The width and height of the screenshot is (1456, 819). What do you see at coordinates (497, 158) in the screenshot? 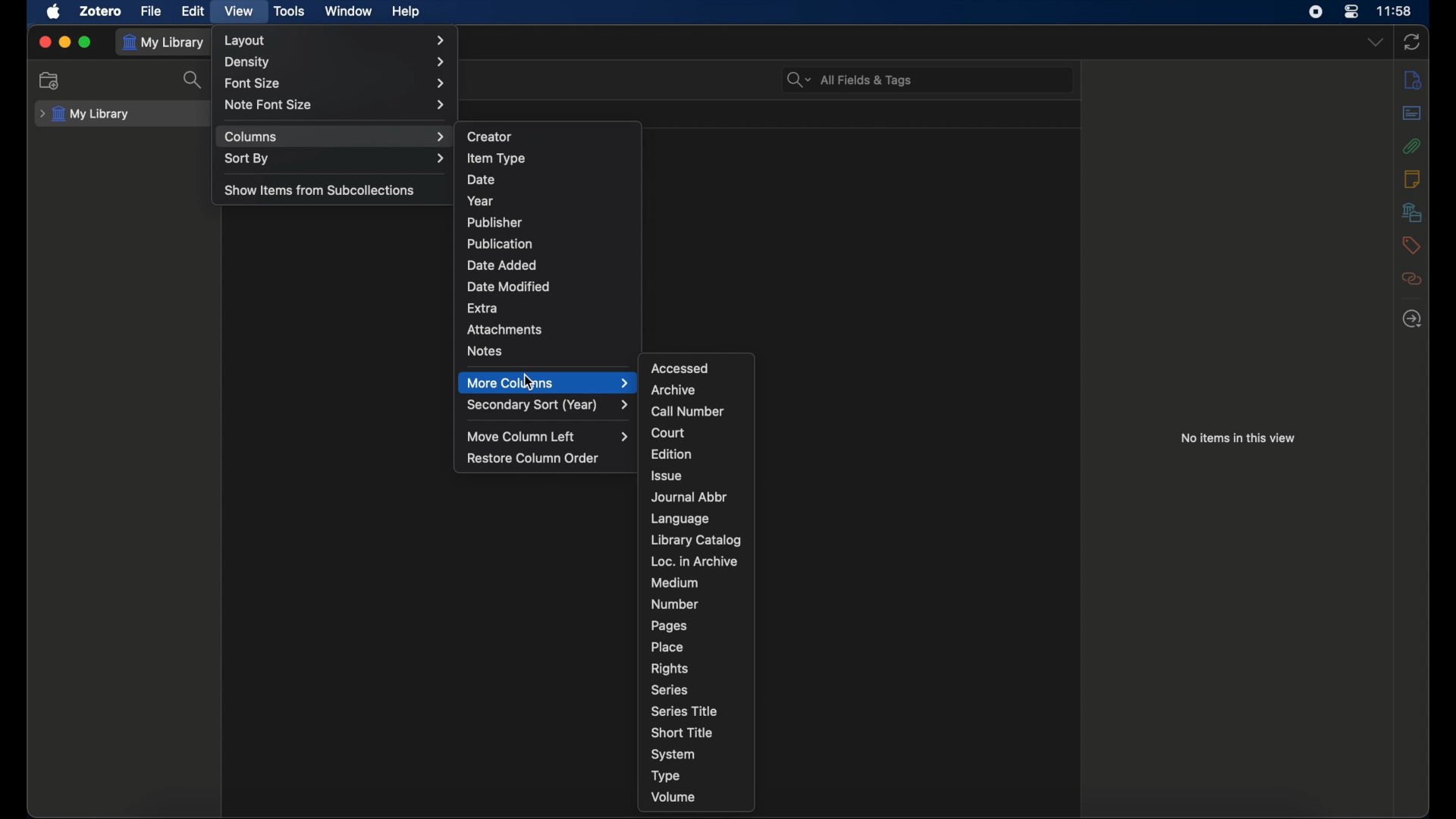
I see `item type` at bounding box center [497, 158].